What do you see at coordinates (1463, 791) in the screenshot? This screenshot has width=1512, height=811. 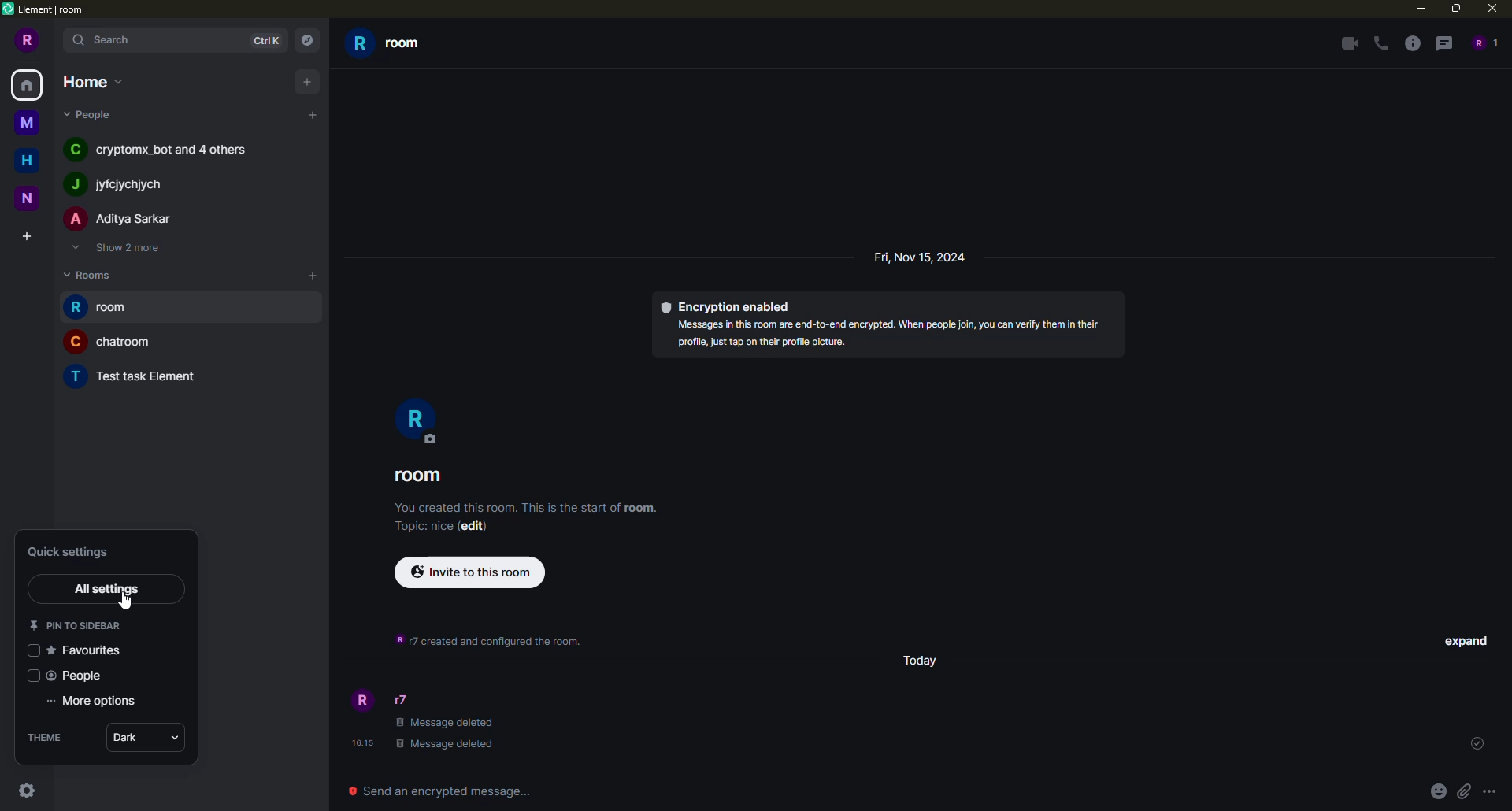 I see `attach` at bounding box center [1463, 791].